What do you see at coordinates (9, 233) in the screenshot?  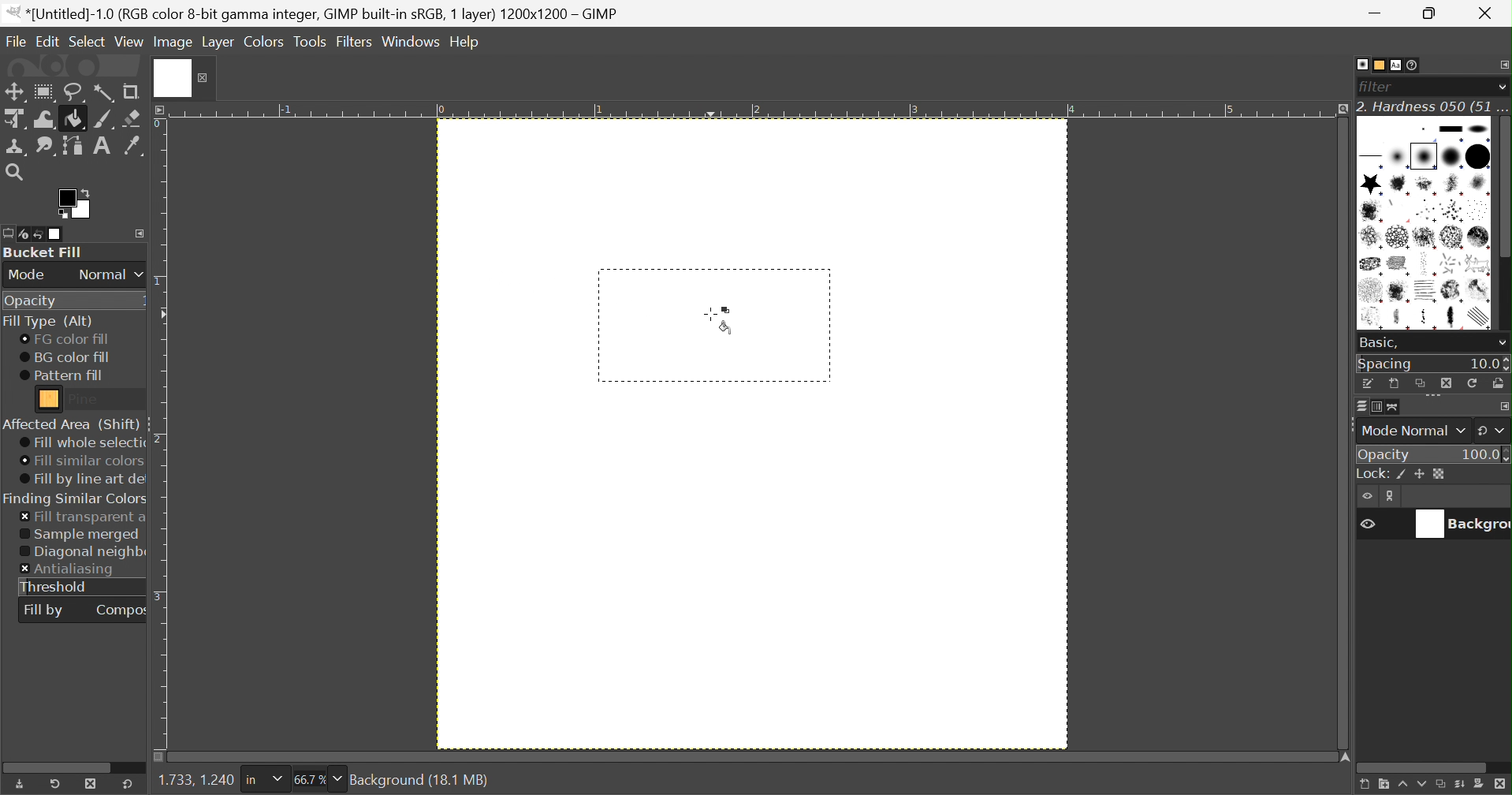 I see `Tool Options` at bounding box center [9, 233].